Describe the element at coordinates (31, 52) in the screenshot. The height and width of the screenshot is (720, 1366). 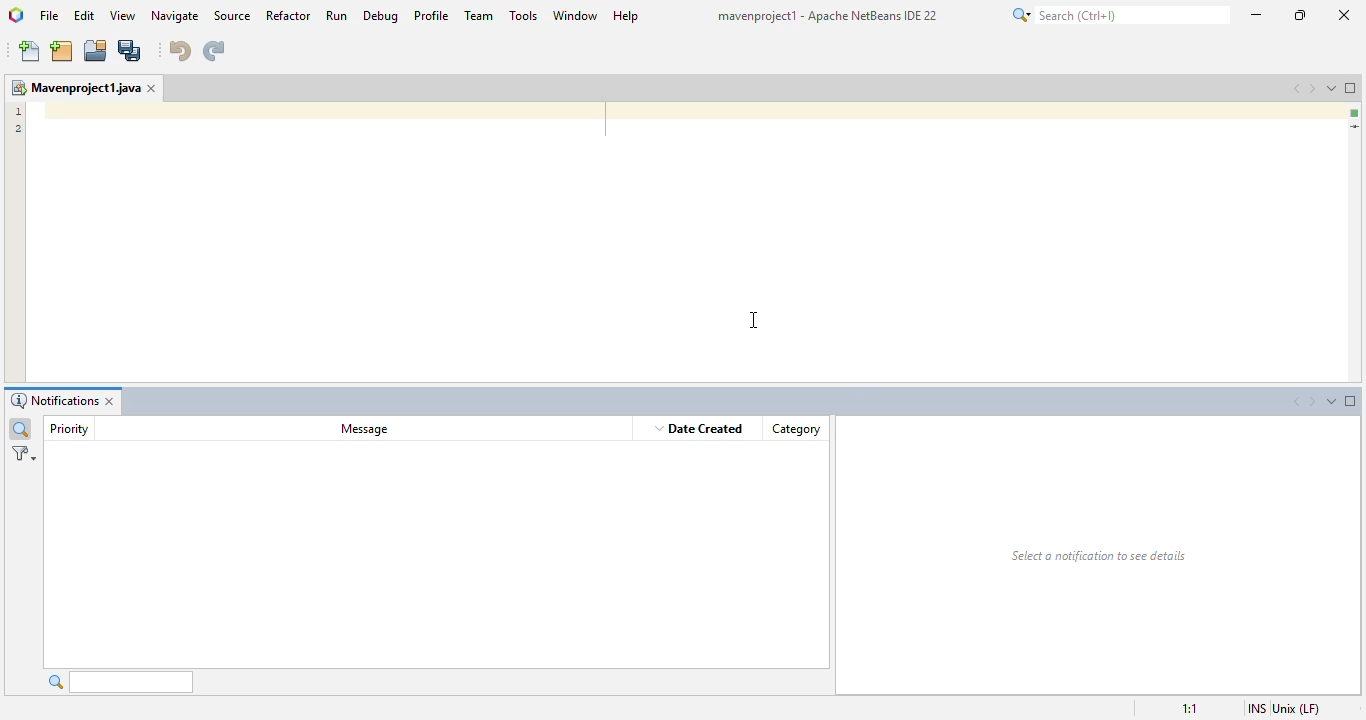
I see `new file` at that location.